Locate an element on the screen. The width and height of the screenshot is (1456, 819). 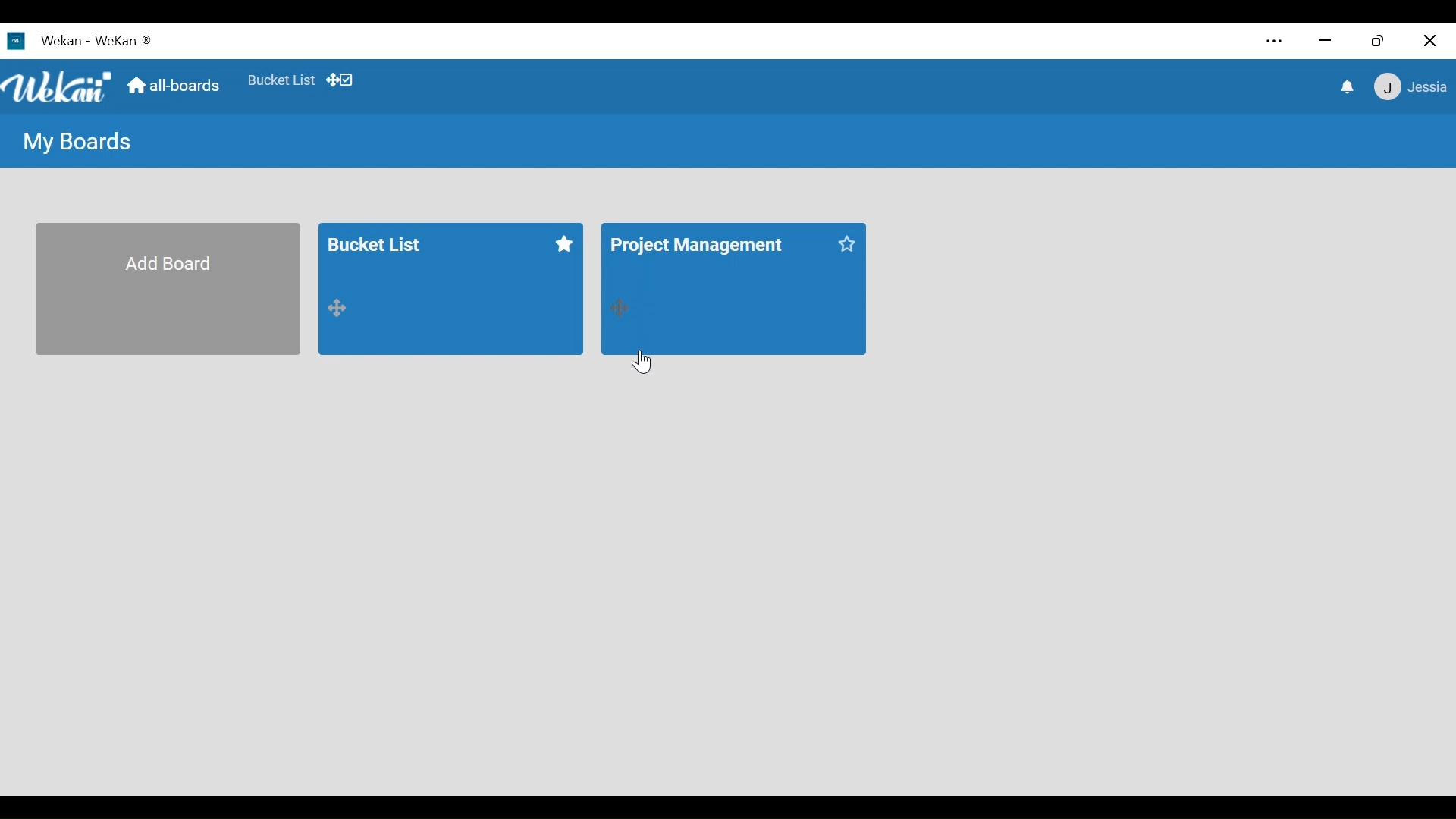
settings and more is located at coordinates (1275, 41).